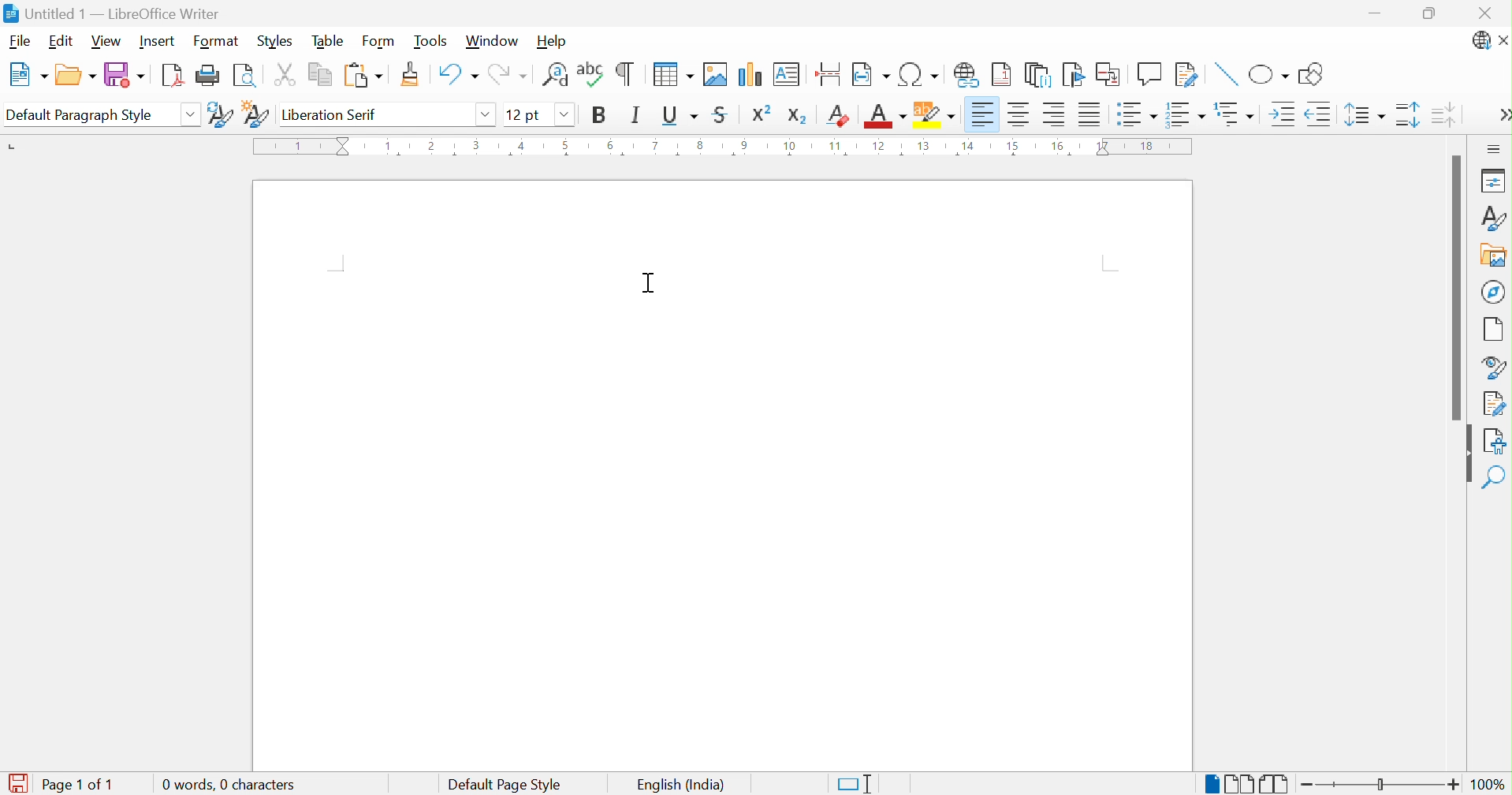 This screenshot has width=1512, height=795. What do you see at coordinates (412, 73) in the screenshot?
I see `Clone formatting` at bounding box center [412, 73].